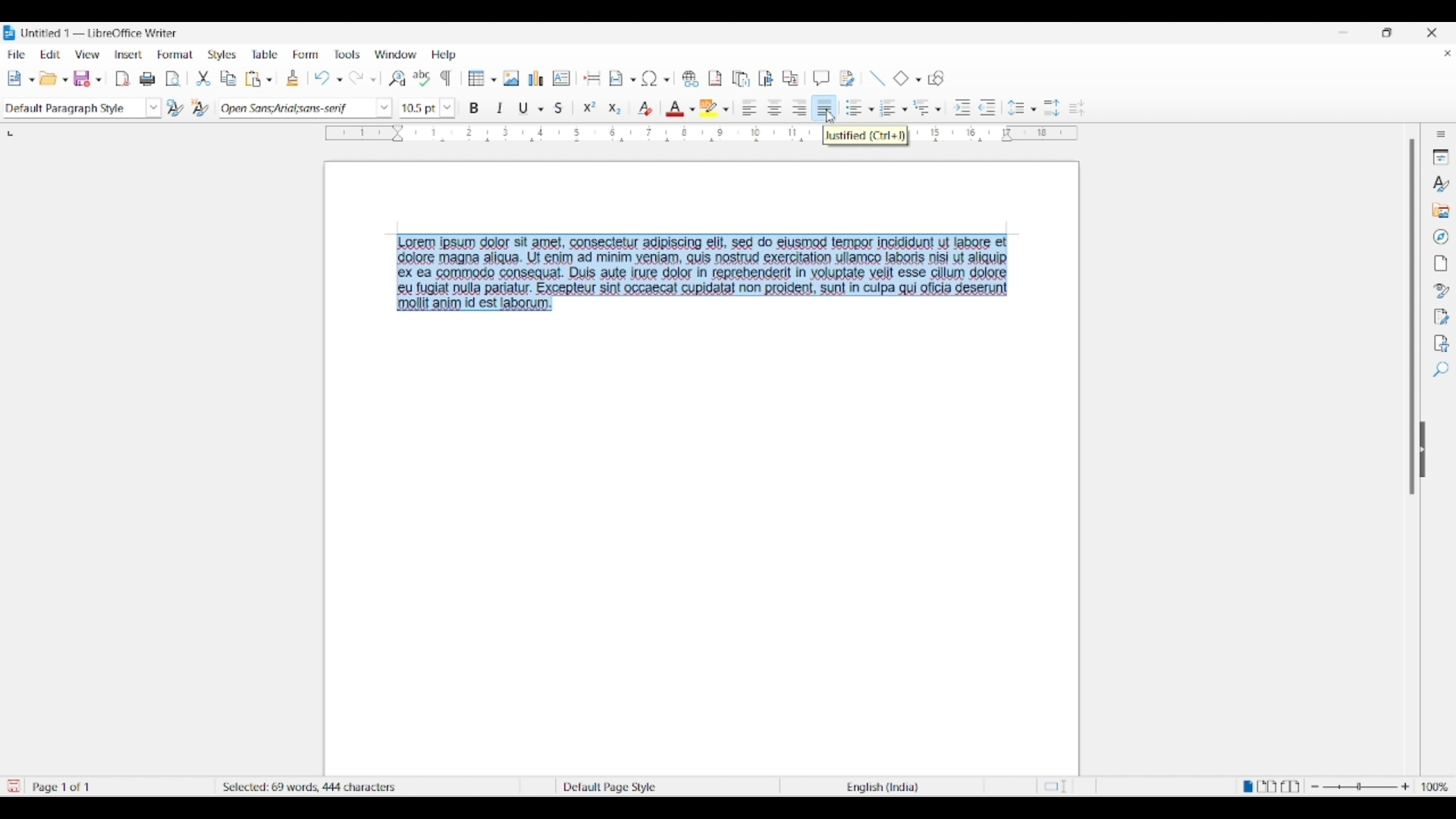 This screenshot has width=1456, height=819. What do you see at coordinates (1431, 33) in the screenshot?
I see `Close interface` at bounding box center [1431, 33].